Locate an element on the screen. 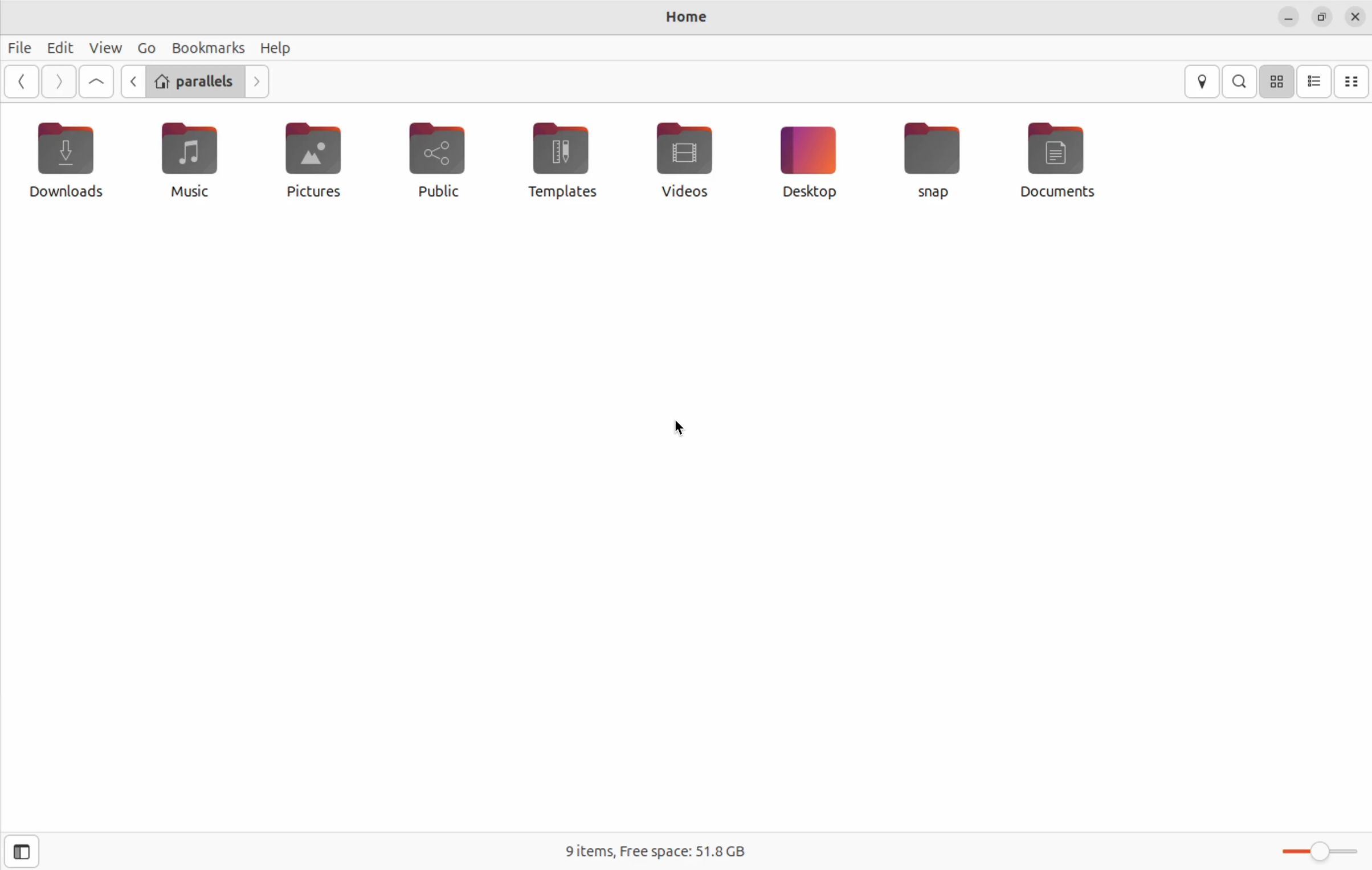 This screenshot has width=1372, height=870. search is located at coordinates (1241, 81).